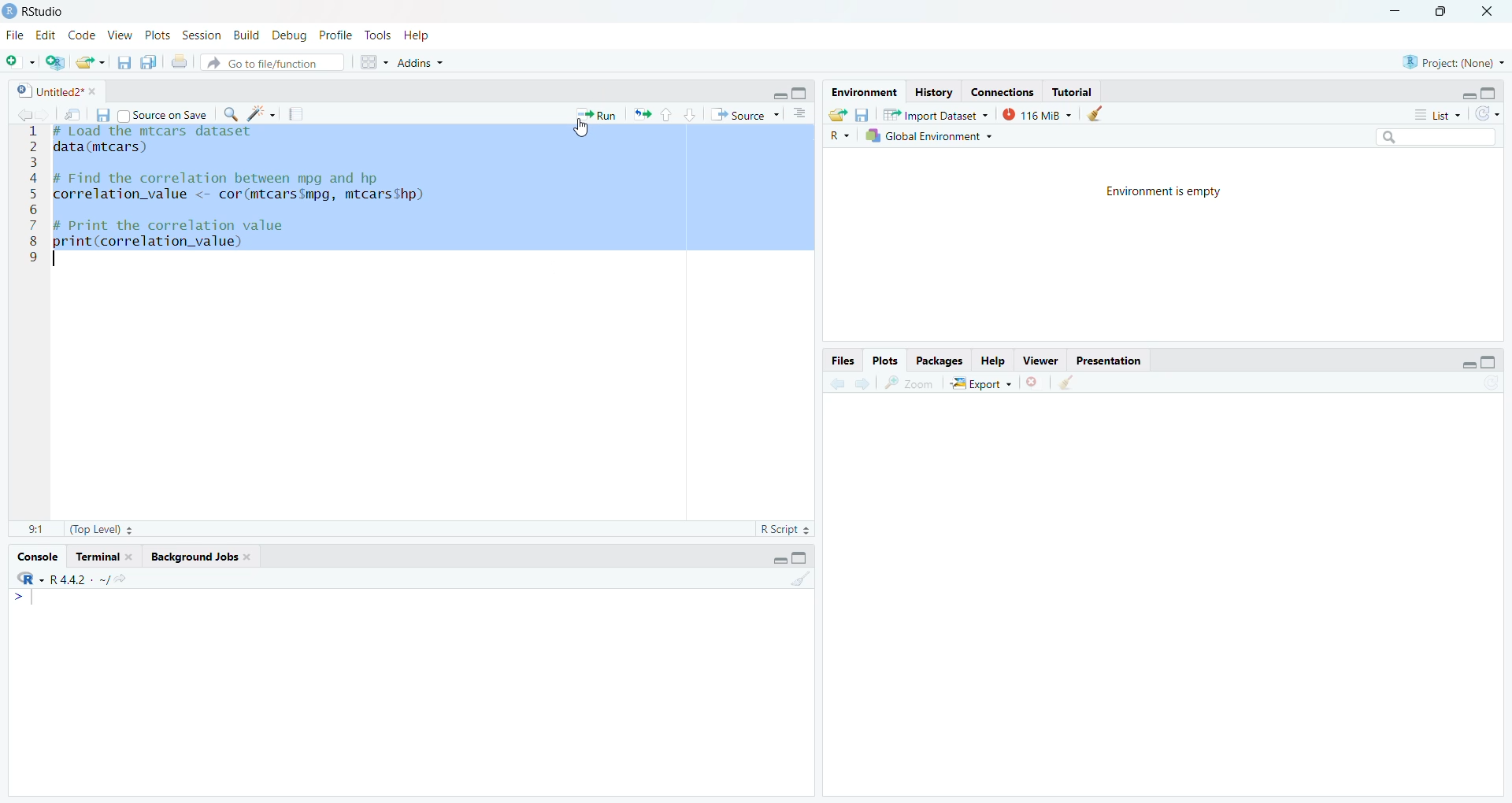 The width and height of the screenshot is (1512, 803). What do you see at coordinates (776, 559) in the screenshot?
I see `Minimize` at bounding box center [776, 559].